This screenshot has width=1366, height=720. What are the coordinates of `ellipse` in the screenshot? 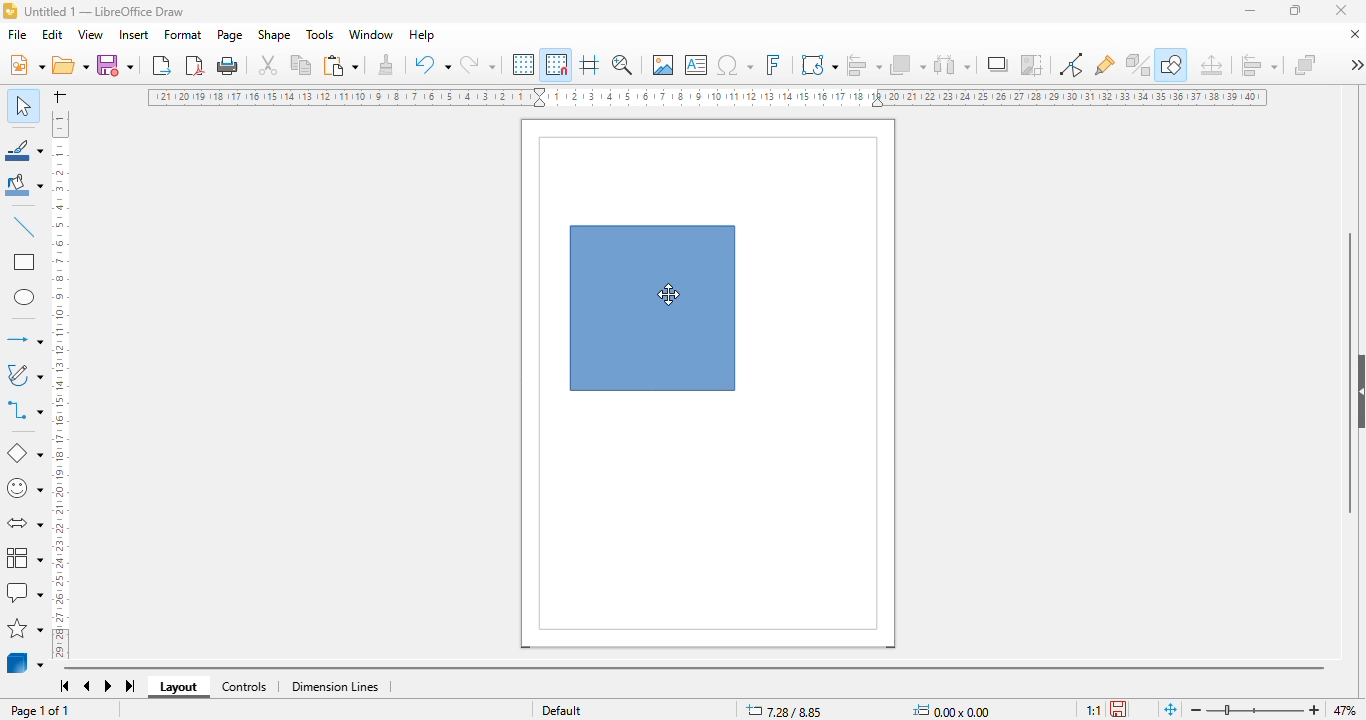 It's located at (24, 298).